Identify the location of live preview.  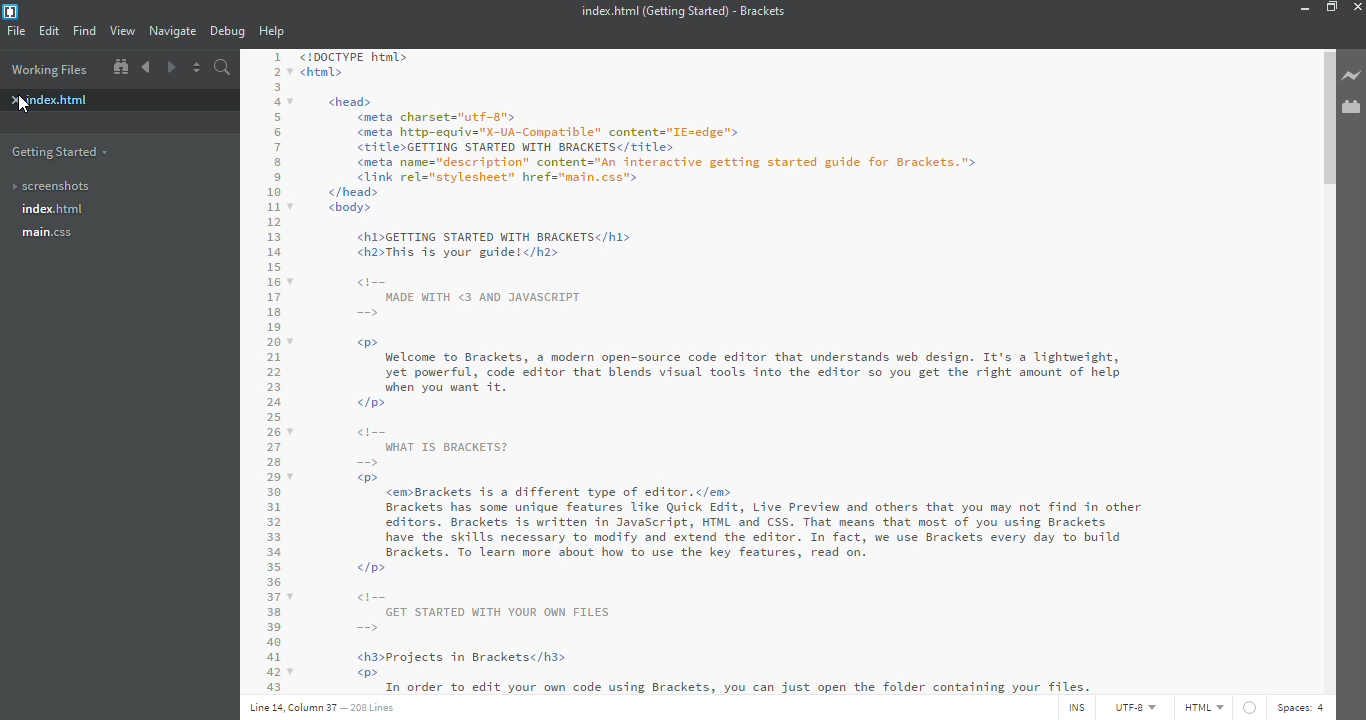
(1351, 75).